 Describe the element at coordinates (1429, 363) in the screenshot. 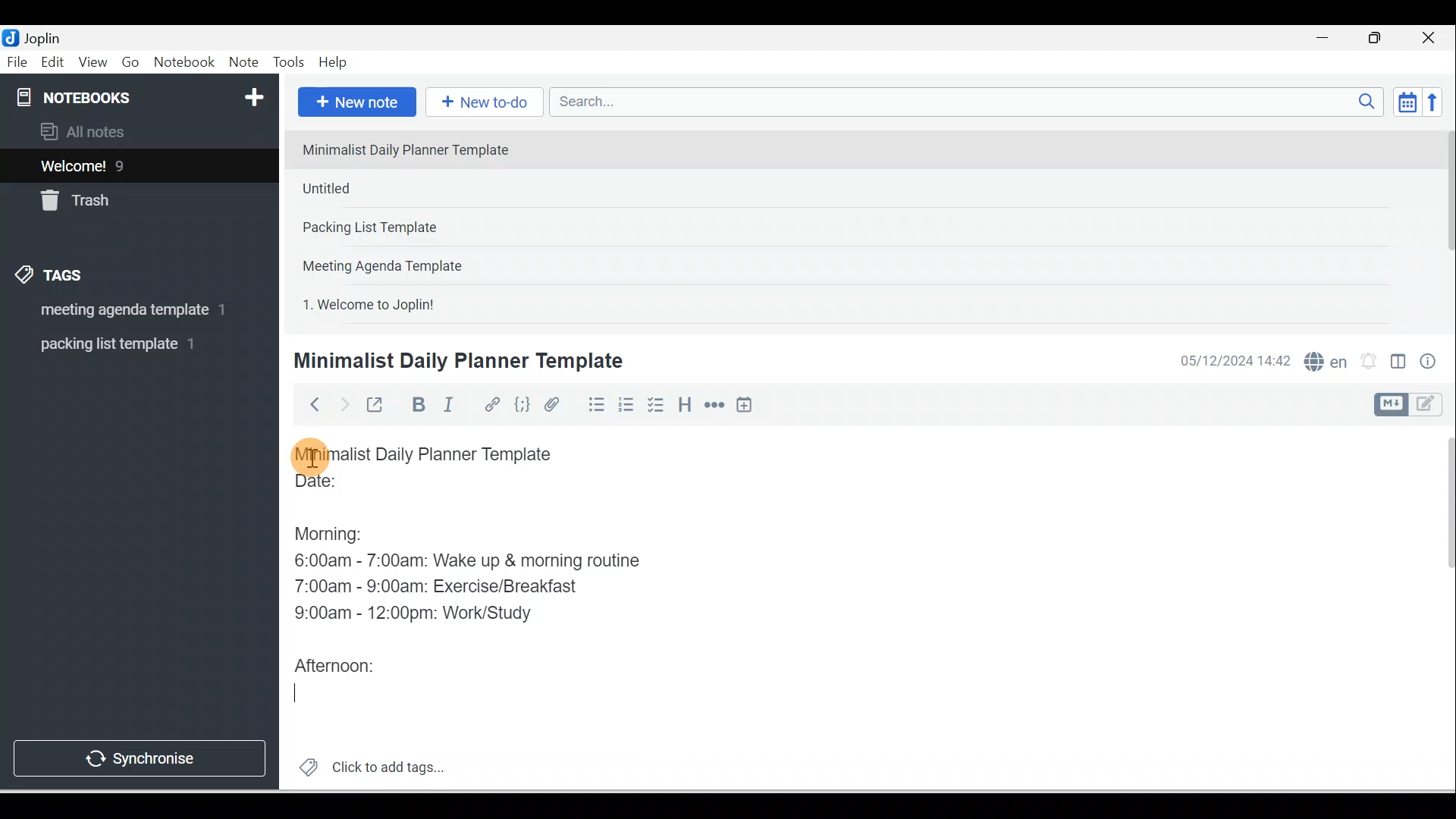

I see `Note properties` at that location.